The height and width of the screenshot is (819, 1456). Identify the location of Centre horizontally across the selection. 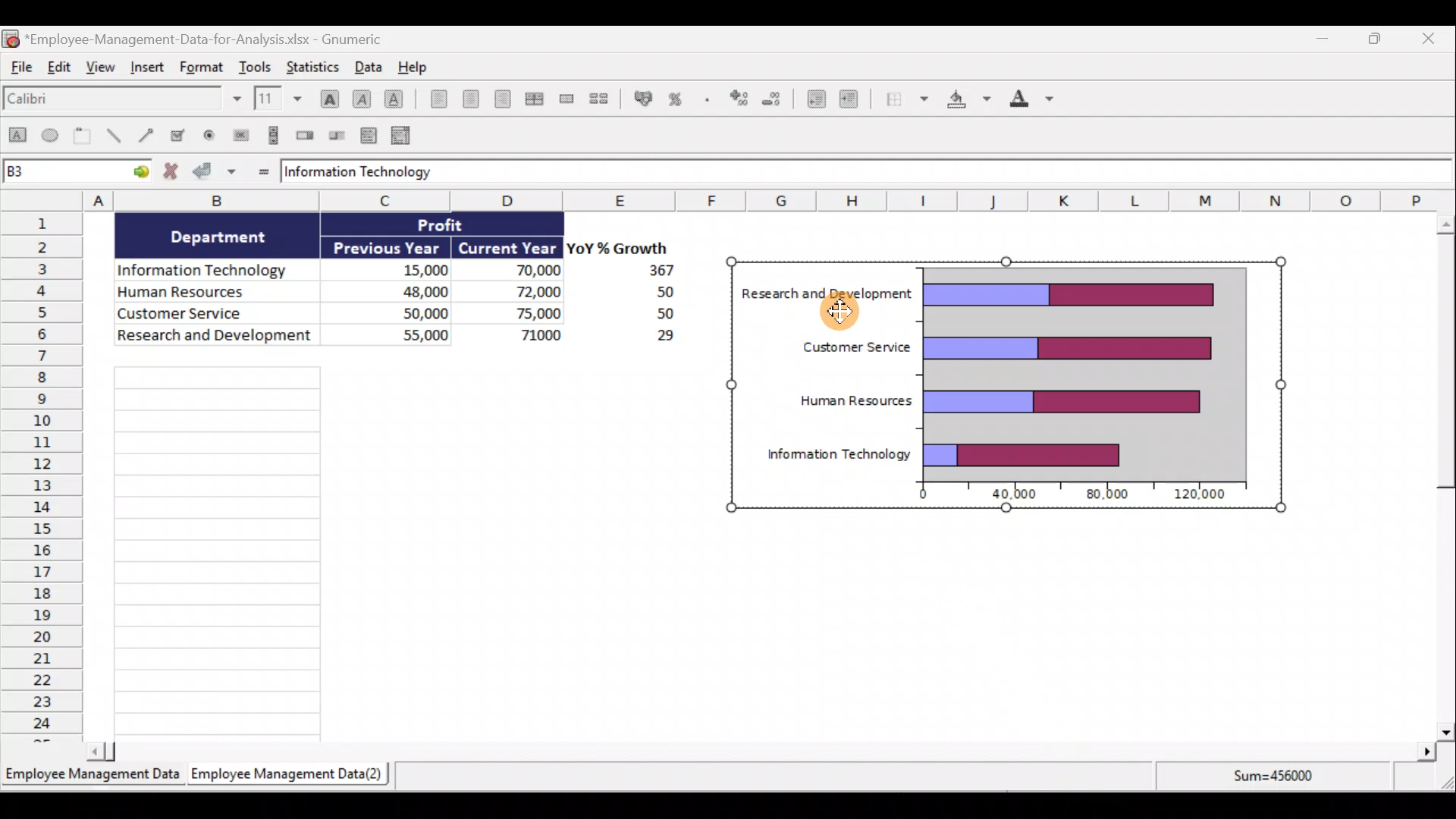
(534, 96).